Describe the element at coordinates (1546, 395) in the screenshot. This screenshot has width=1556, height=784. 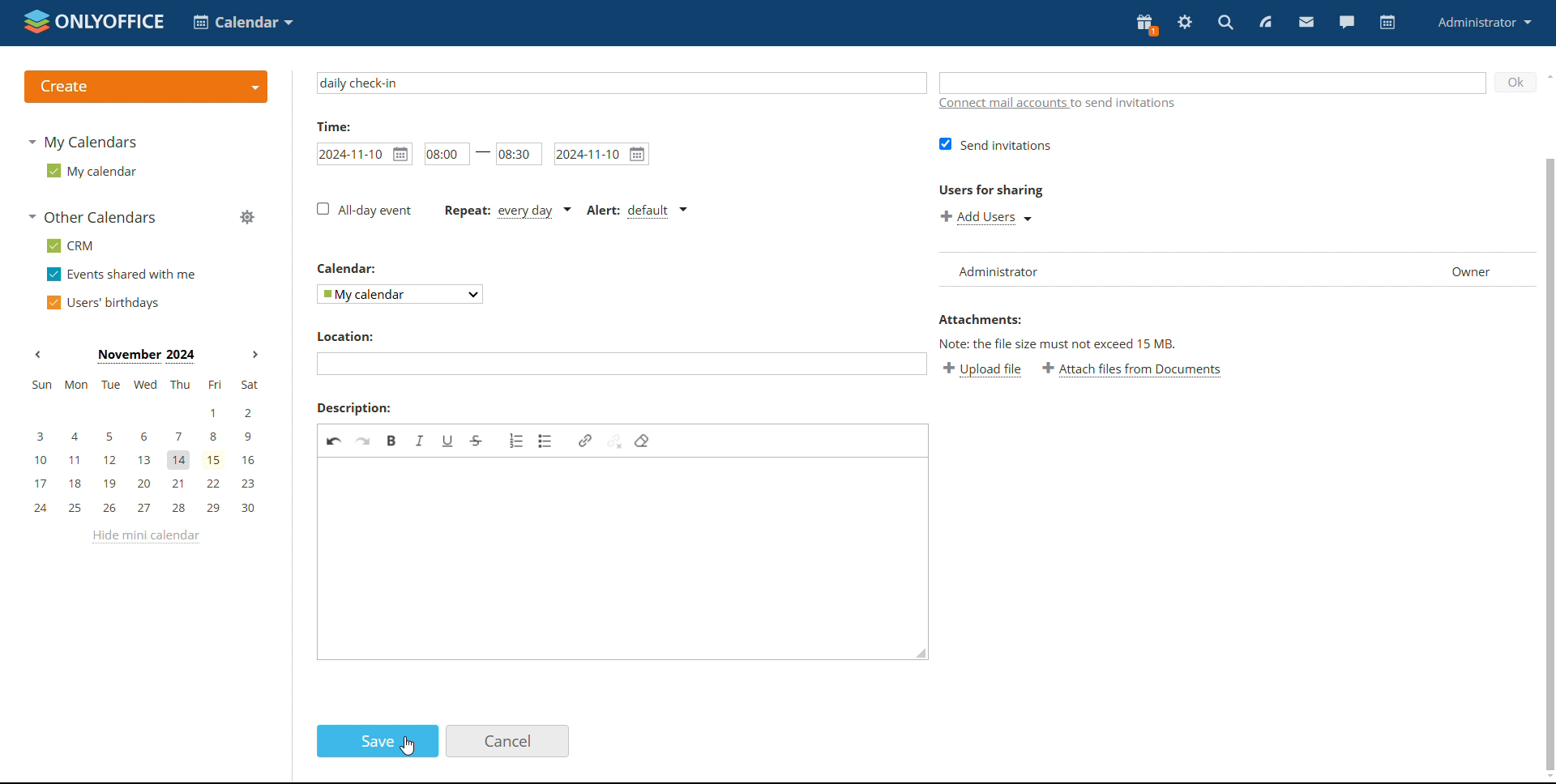
I see `scrollbar` at that location.